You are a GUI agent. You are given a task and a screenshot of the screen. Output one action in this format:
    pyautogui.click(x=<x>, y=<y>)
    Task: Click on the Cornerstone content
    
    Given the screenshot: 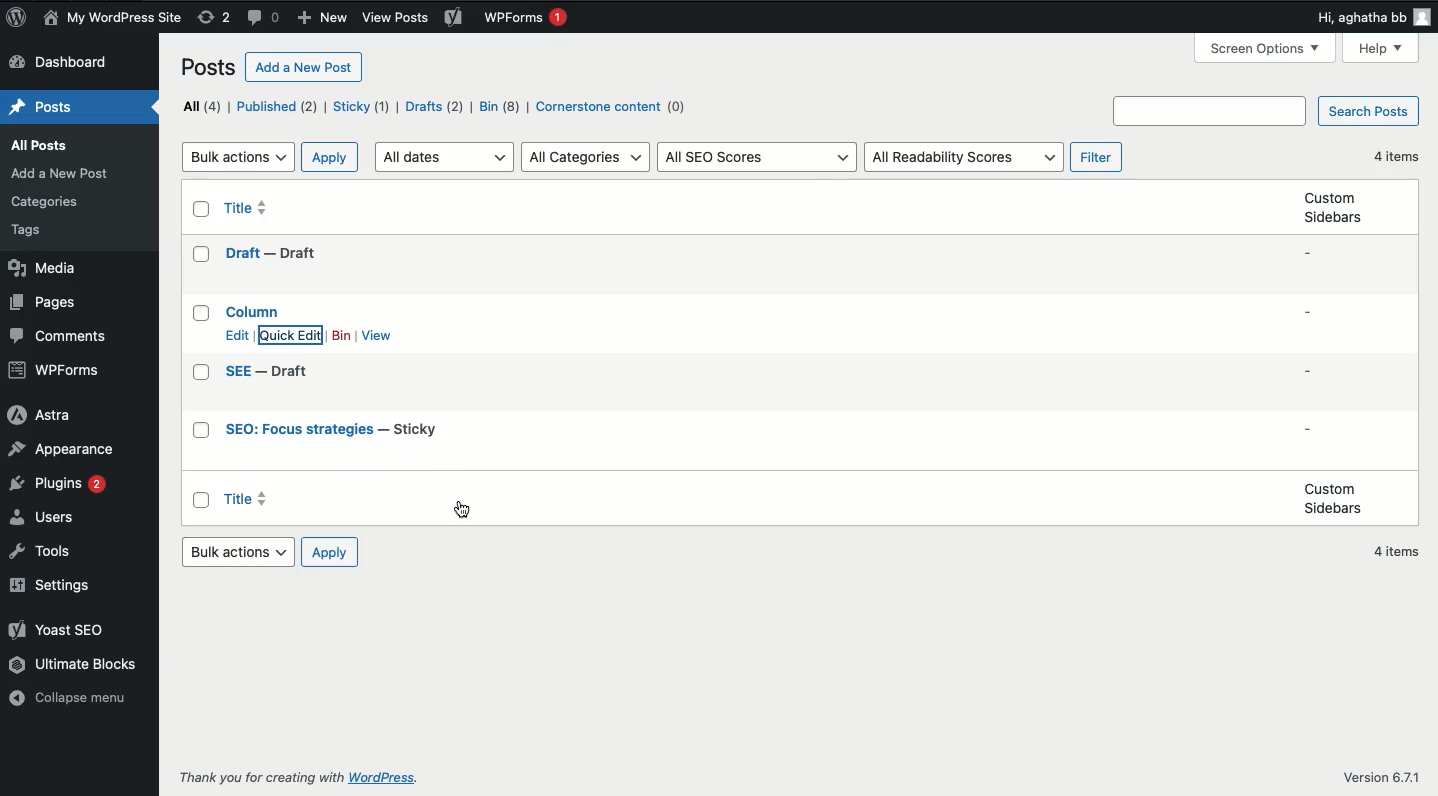 What is the action you would take?
    pyautogui.click(x=614, y=109)
    